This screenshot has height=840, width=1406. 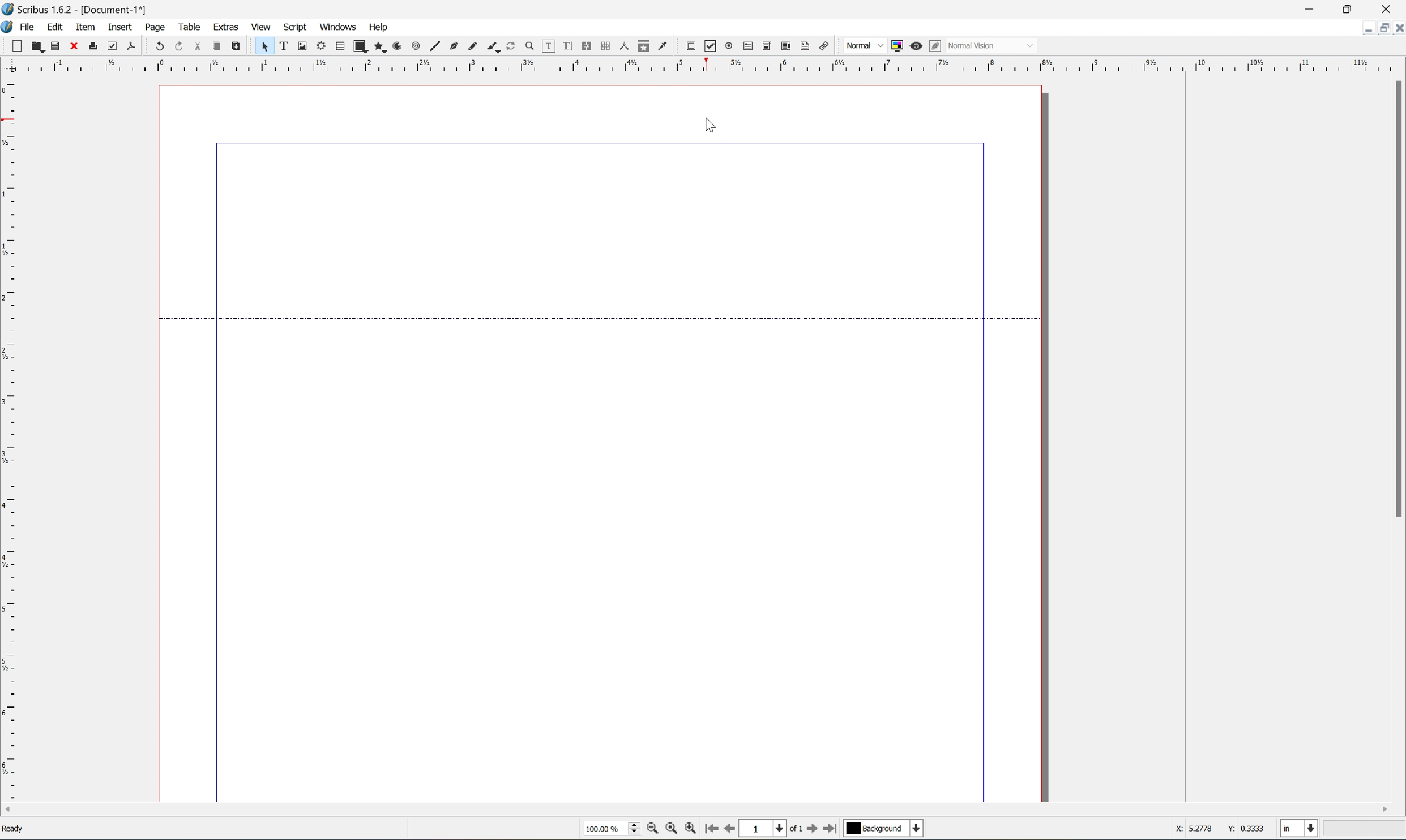 What do you see at coordinates (237, 45) in the screenshot?
I see `paste` at bounding box center [237, 45].